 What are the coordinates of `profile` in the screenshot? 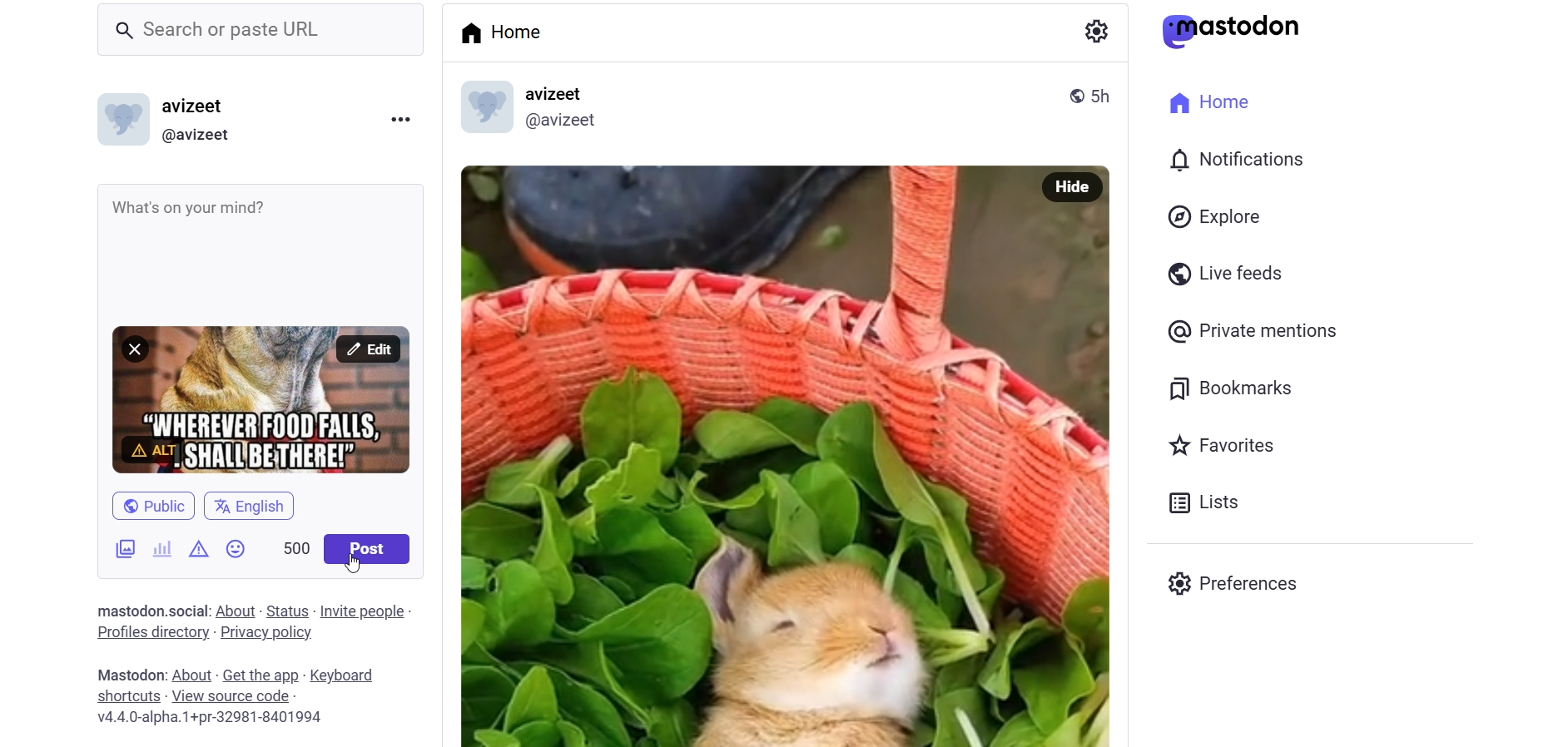 It's located at (149, 632).